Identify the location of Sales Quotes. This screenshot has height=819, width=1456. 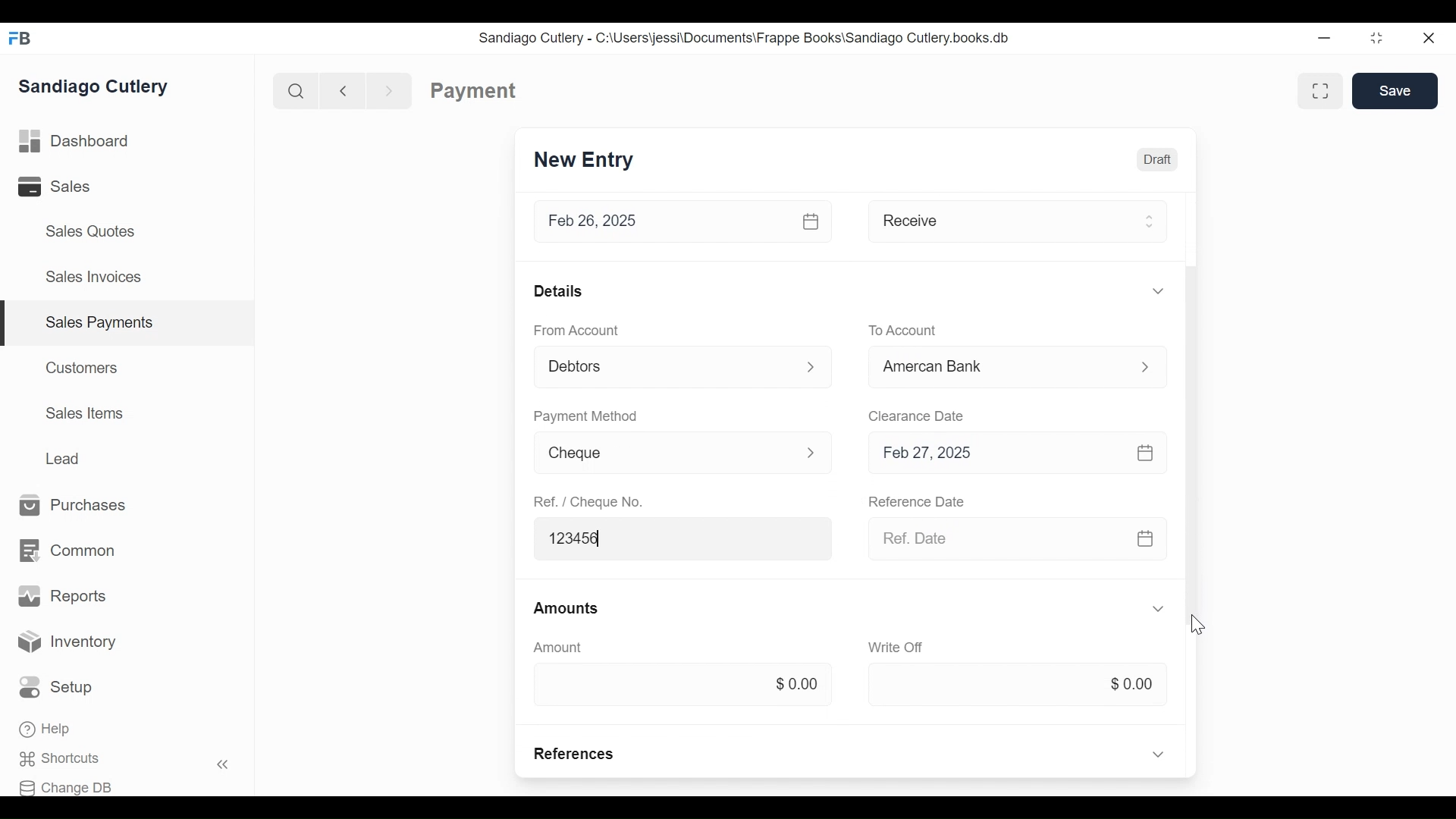
(89, 231).